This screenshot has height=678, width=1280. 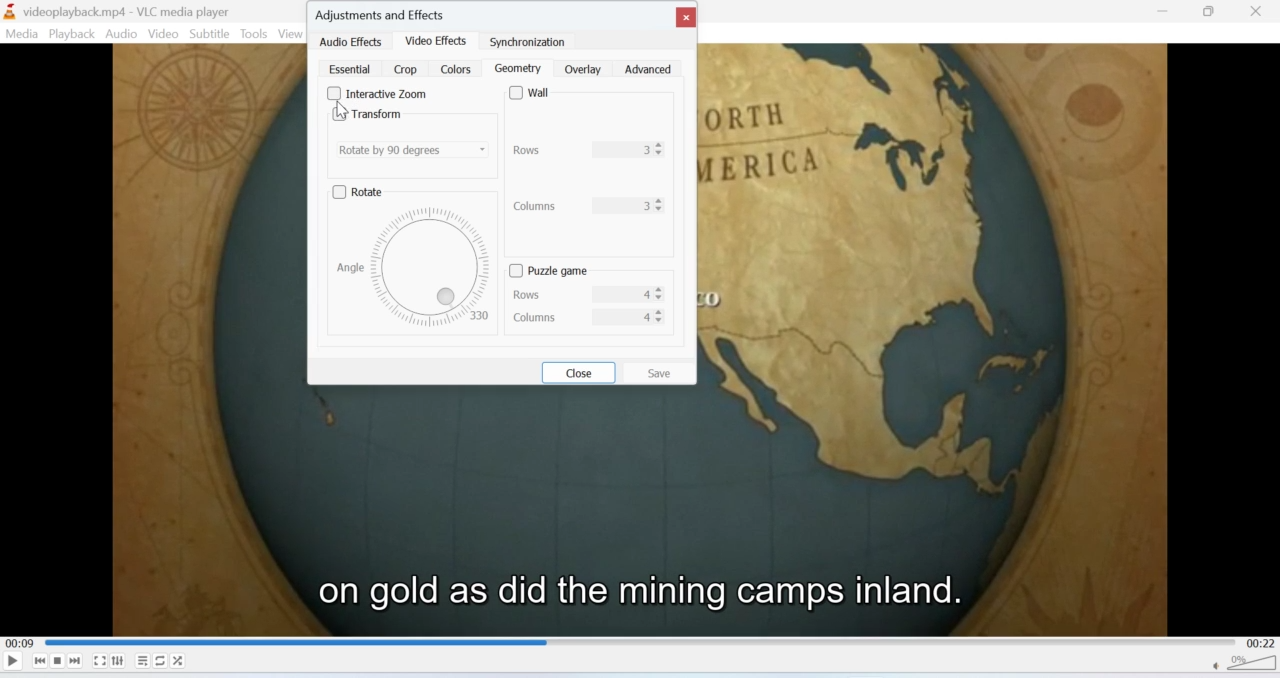 What do you see at coordinates (585, 294) in the screenshot?
I see `rows   4` at bounding box center [585, 294].